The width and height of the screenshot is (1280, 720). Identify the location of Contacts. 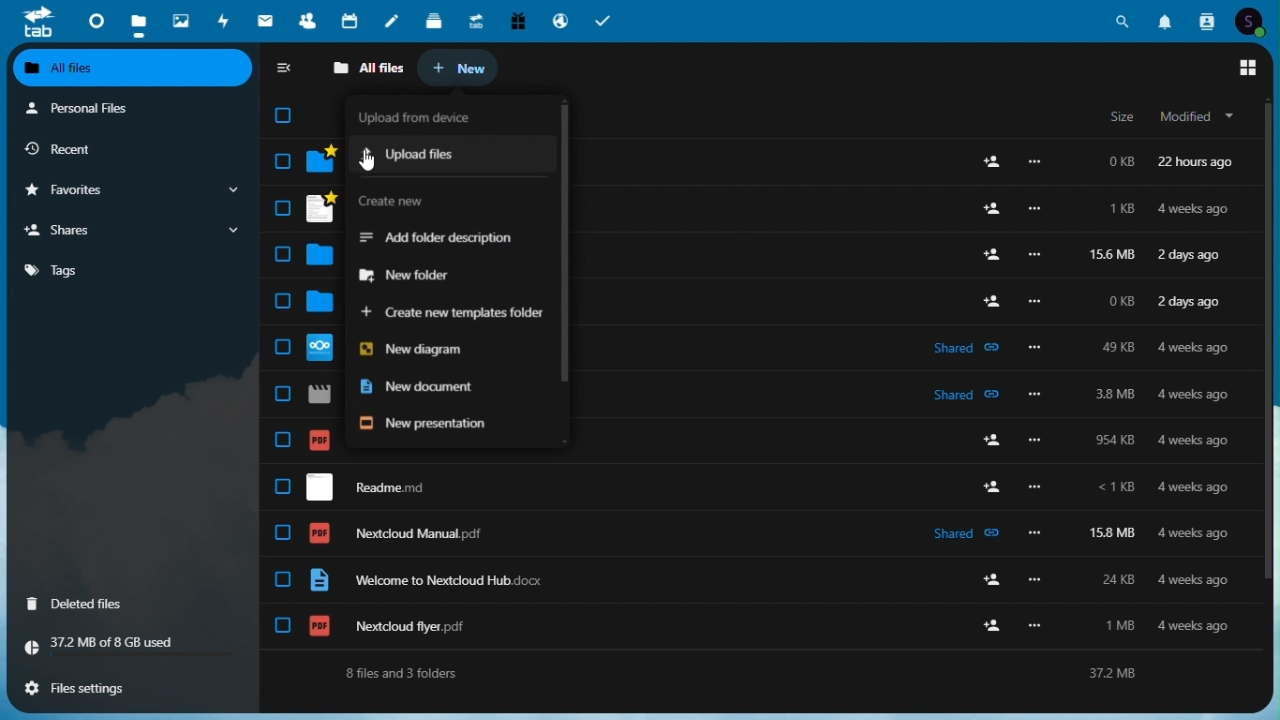
(307, 21).